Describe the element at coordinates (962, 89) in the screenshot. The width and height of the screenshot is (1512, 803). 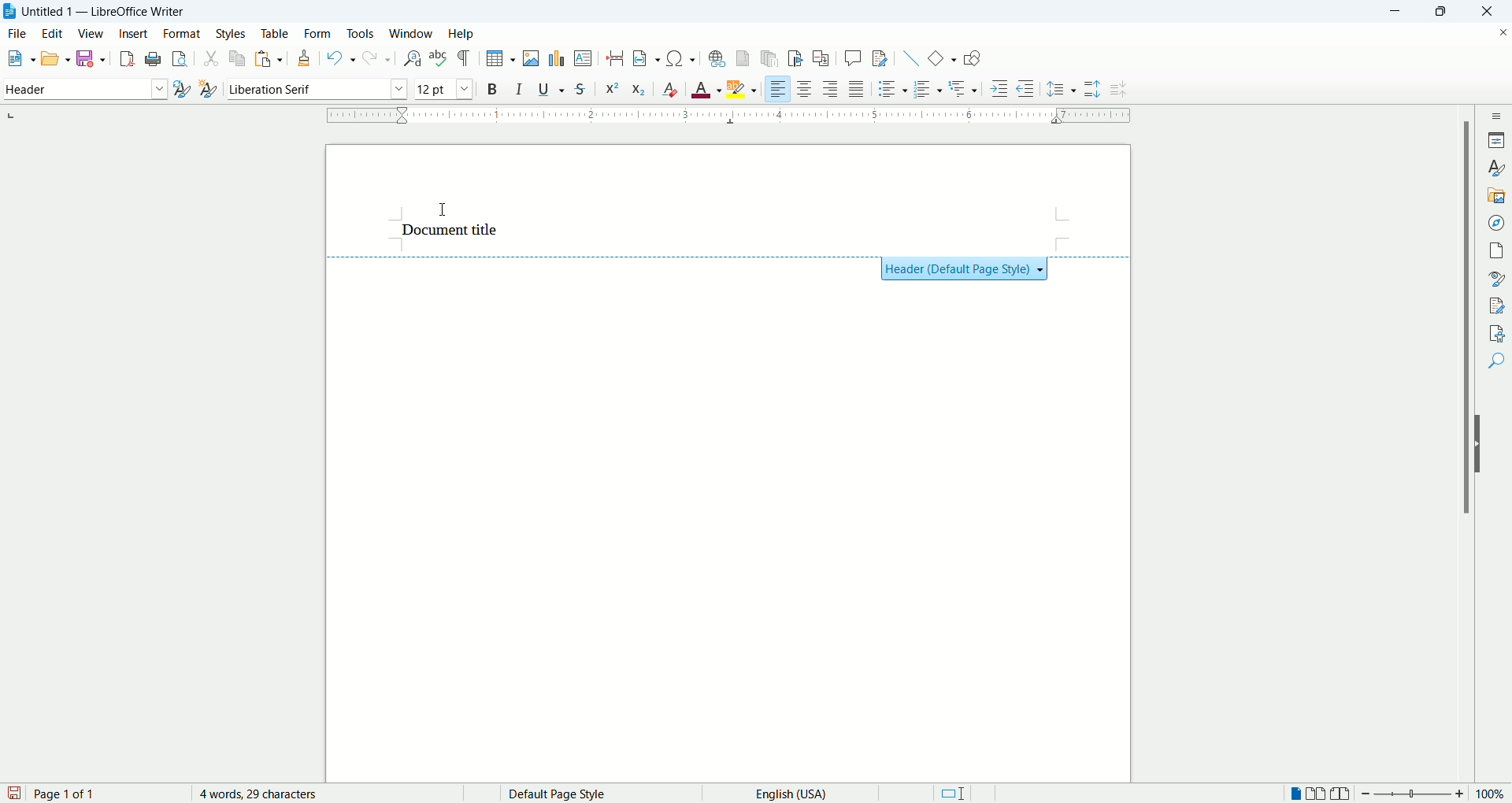
I see `outline` at that location.